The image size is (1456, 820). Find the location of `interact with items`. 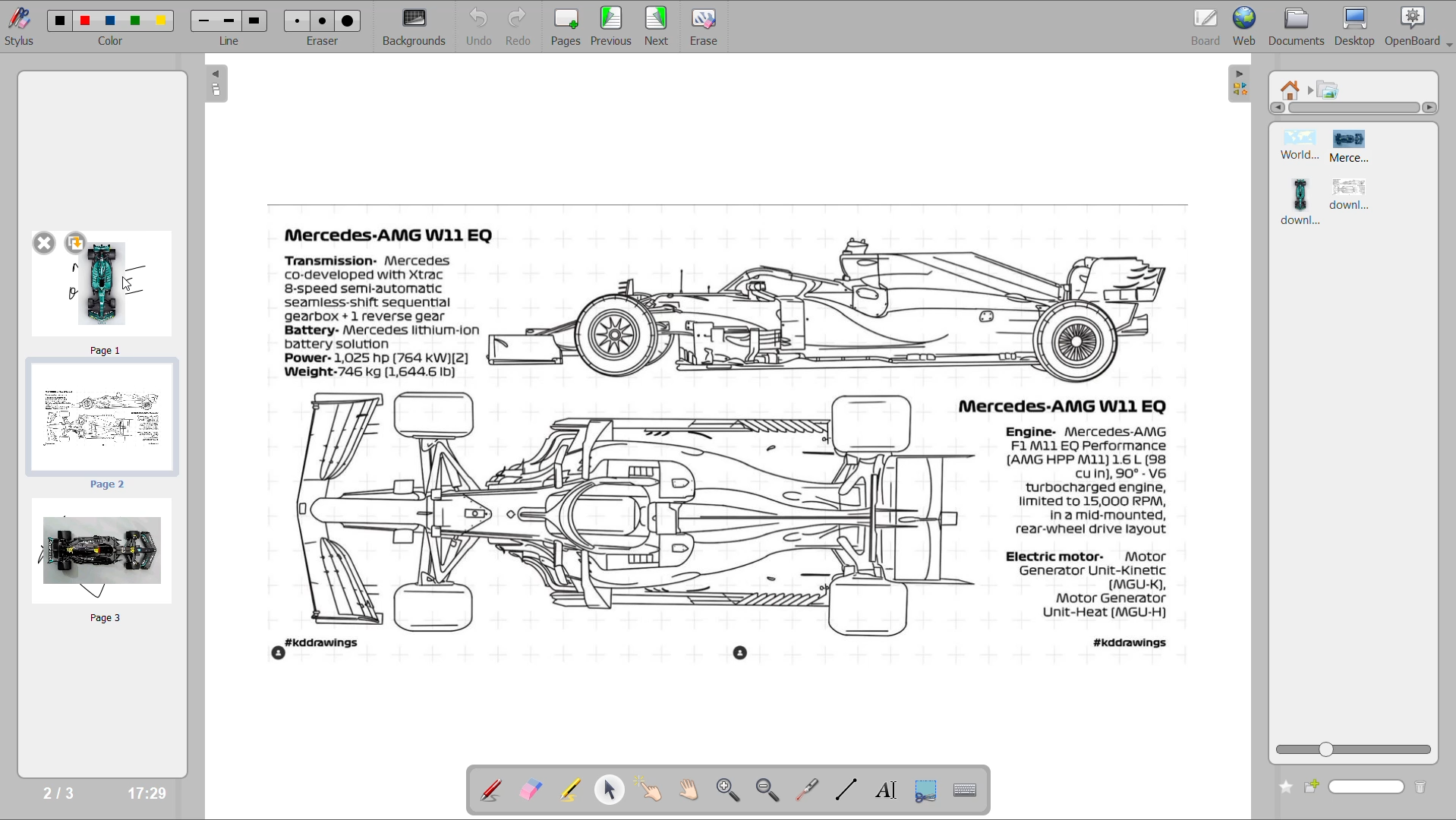

interact with items is located at coordinates (650, 790).